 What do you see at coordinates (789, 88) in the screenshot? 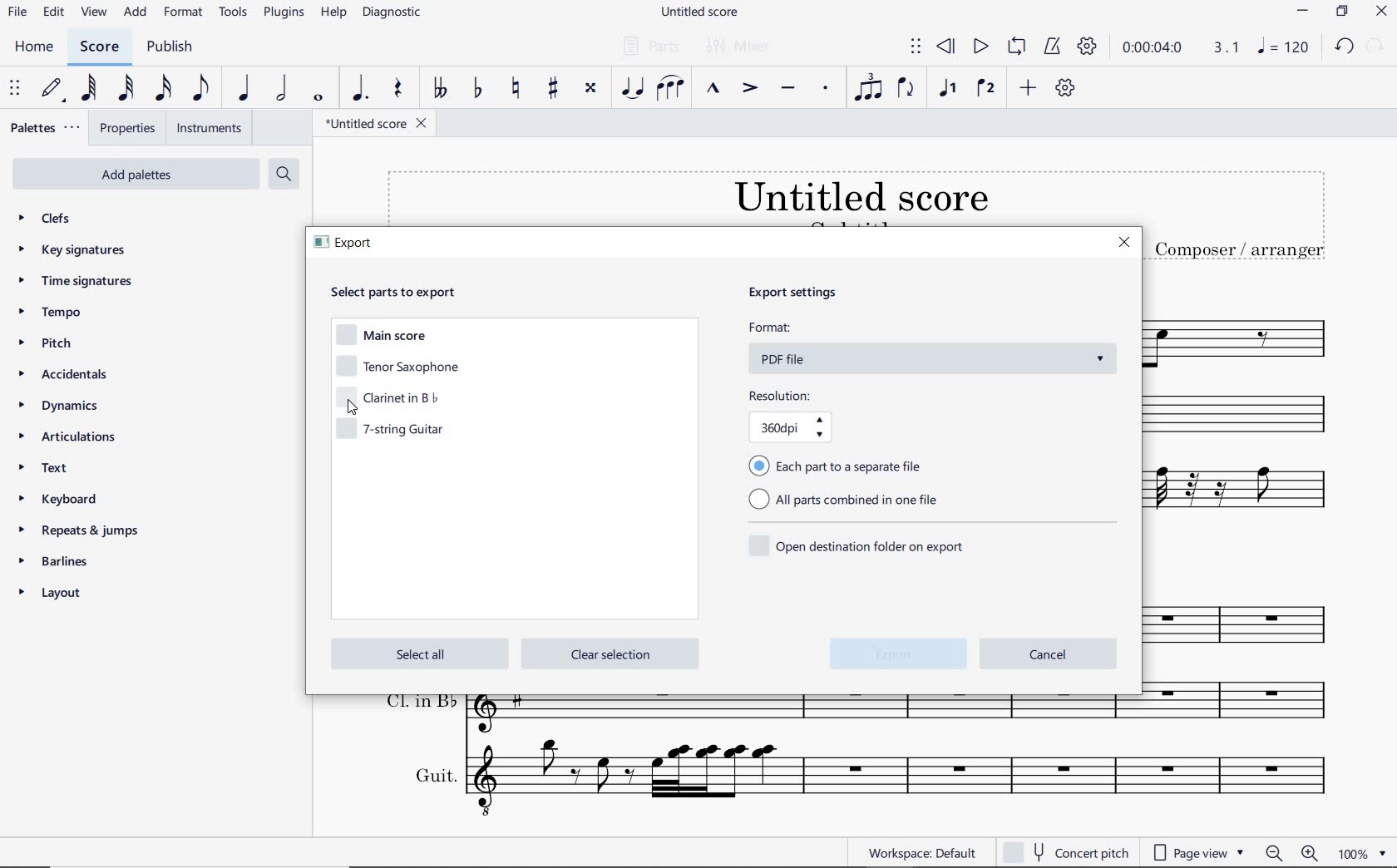
I see `TENUTO` at bounding box center [789, 88].